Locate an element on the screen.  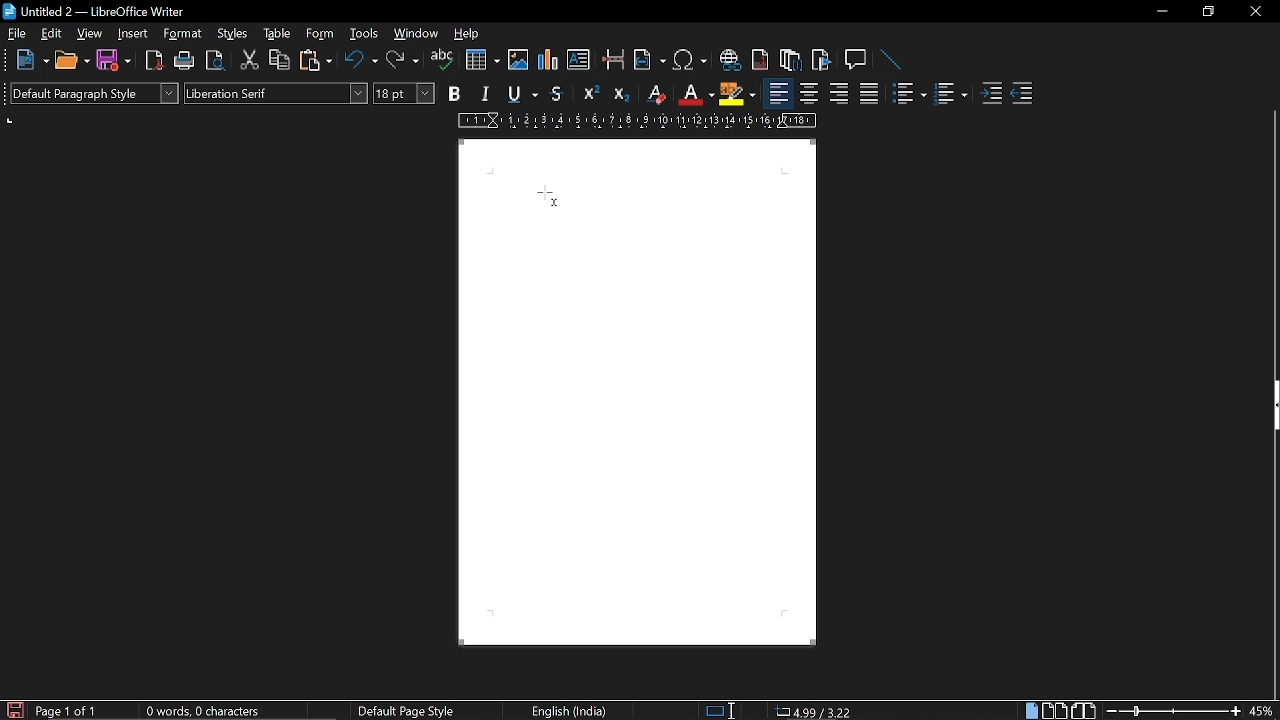
justified is located at coordinates (869, 96).